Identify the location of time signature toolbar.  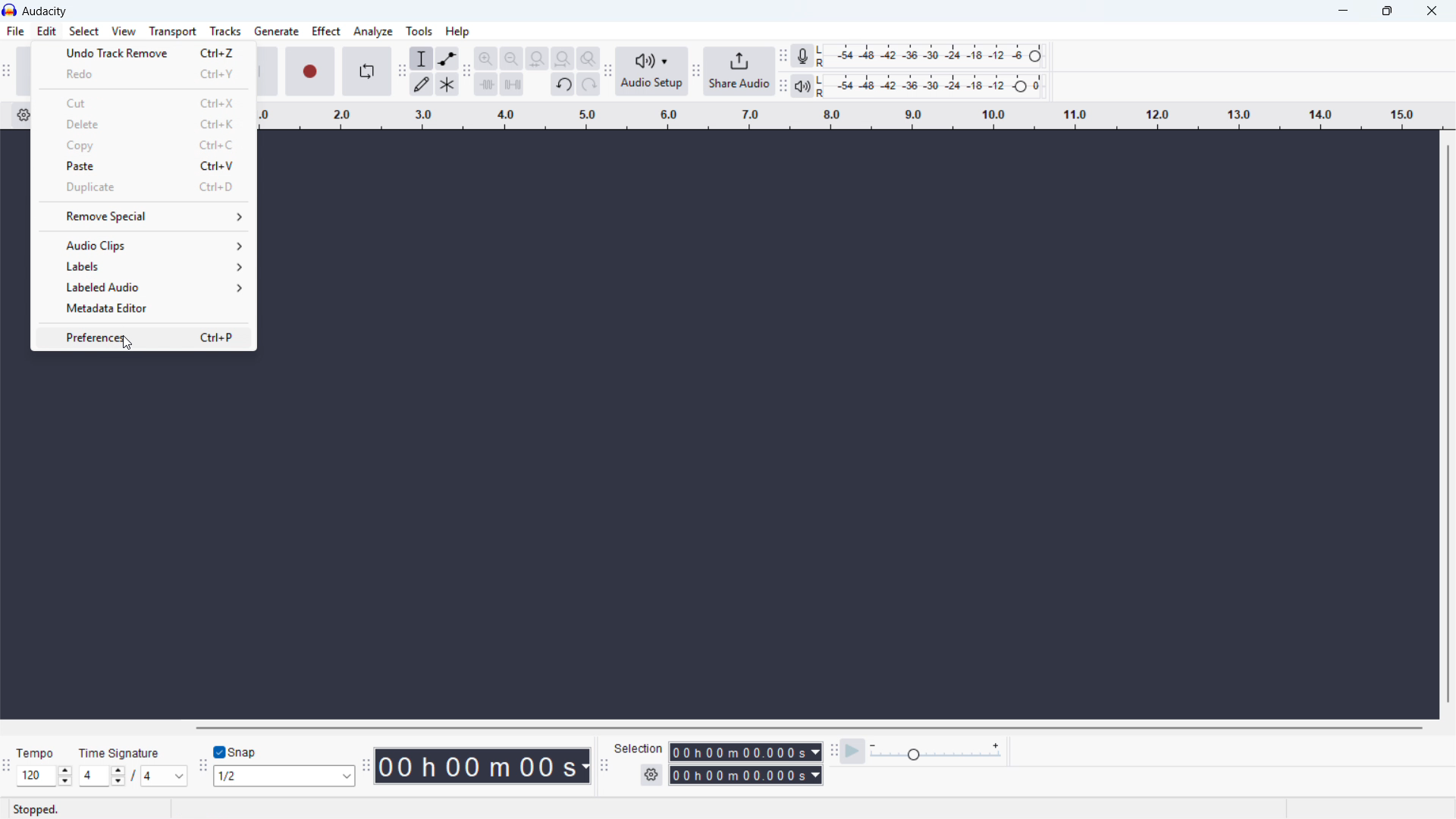
(7, 768).